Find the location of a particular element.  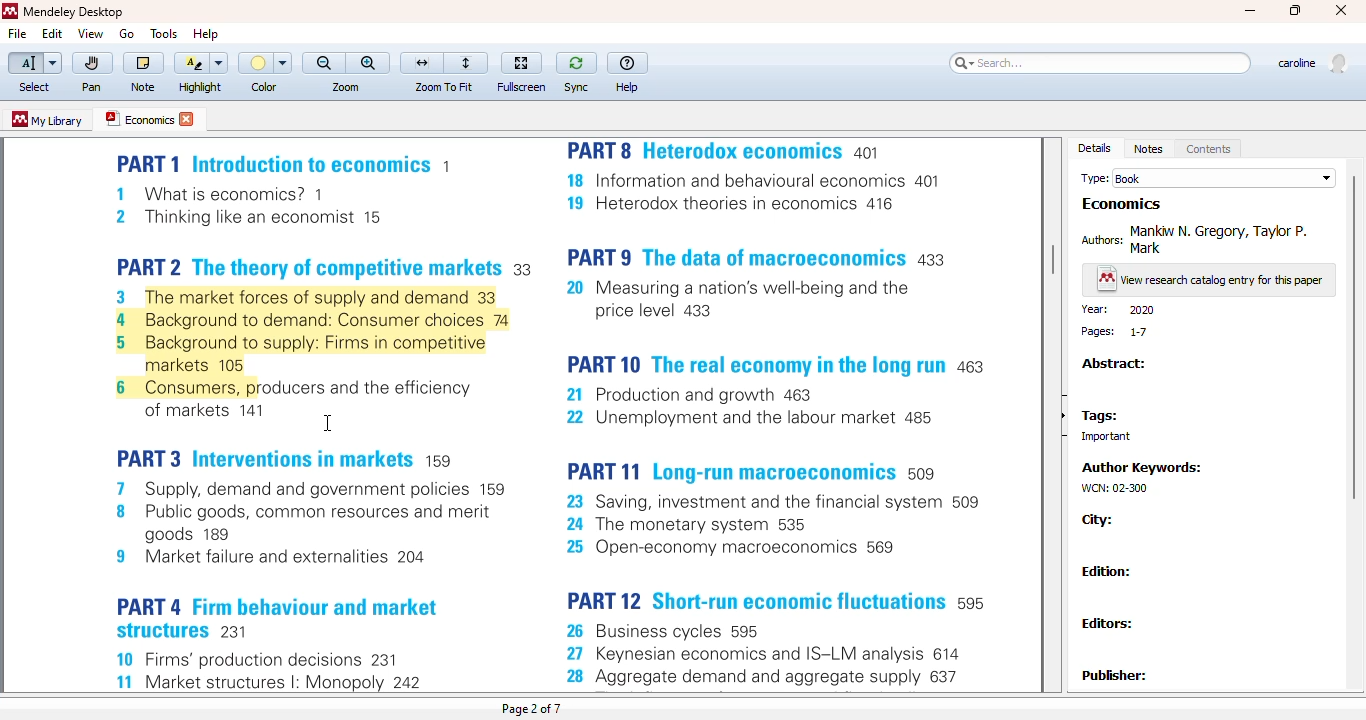

pdf text is located at coordinates (298, 550).